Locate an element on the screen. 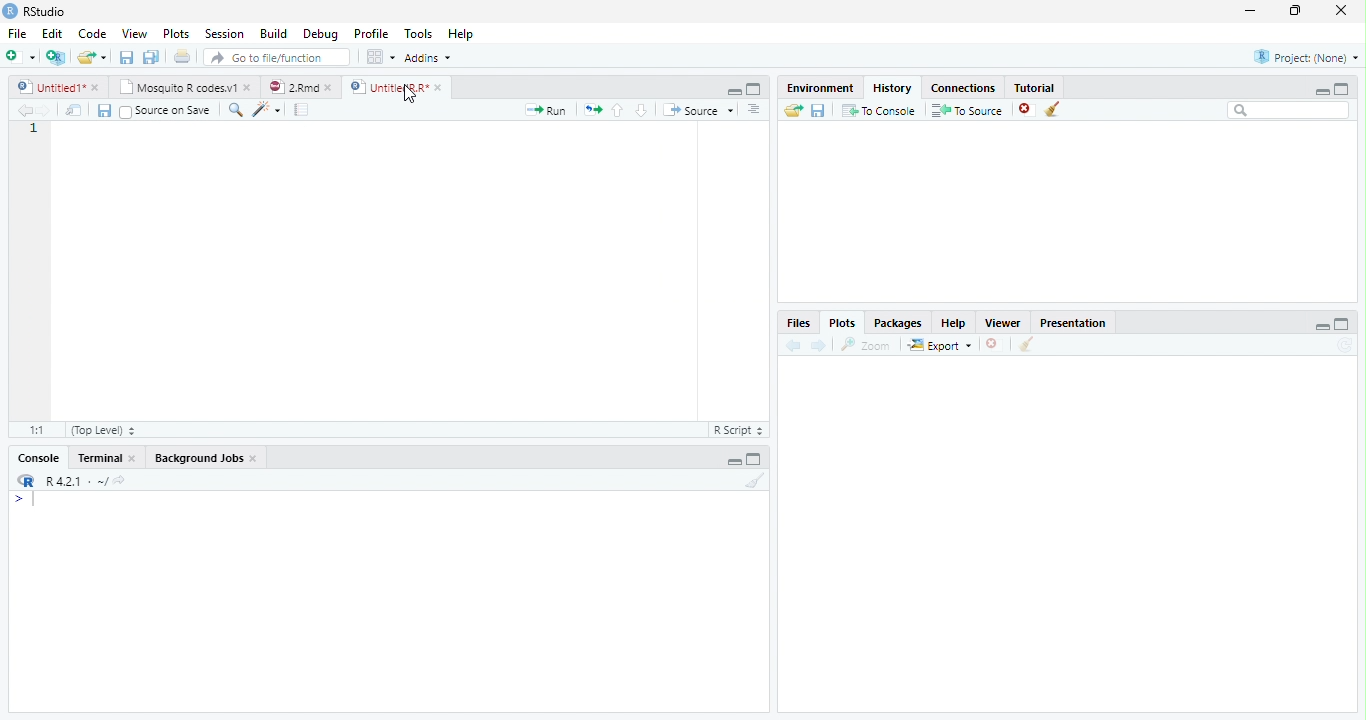  Session is located at coordinates (222, 33).